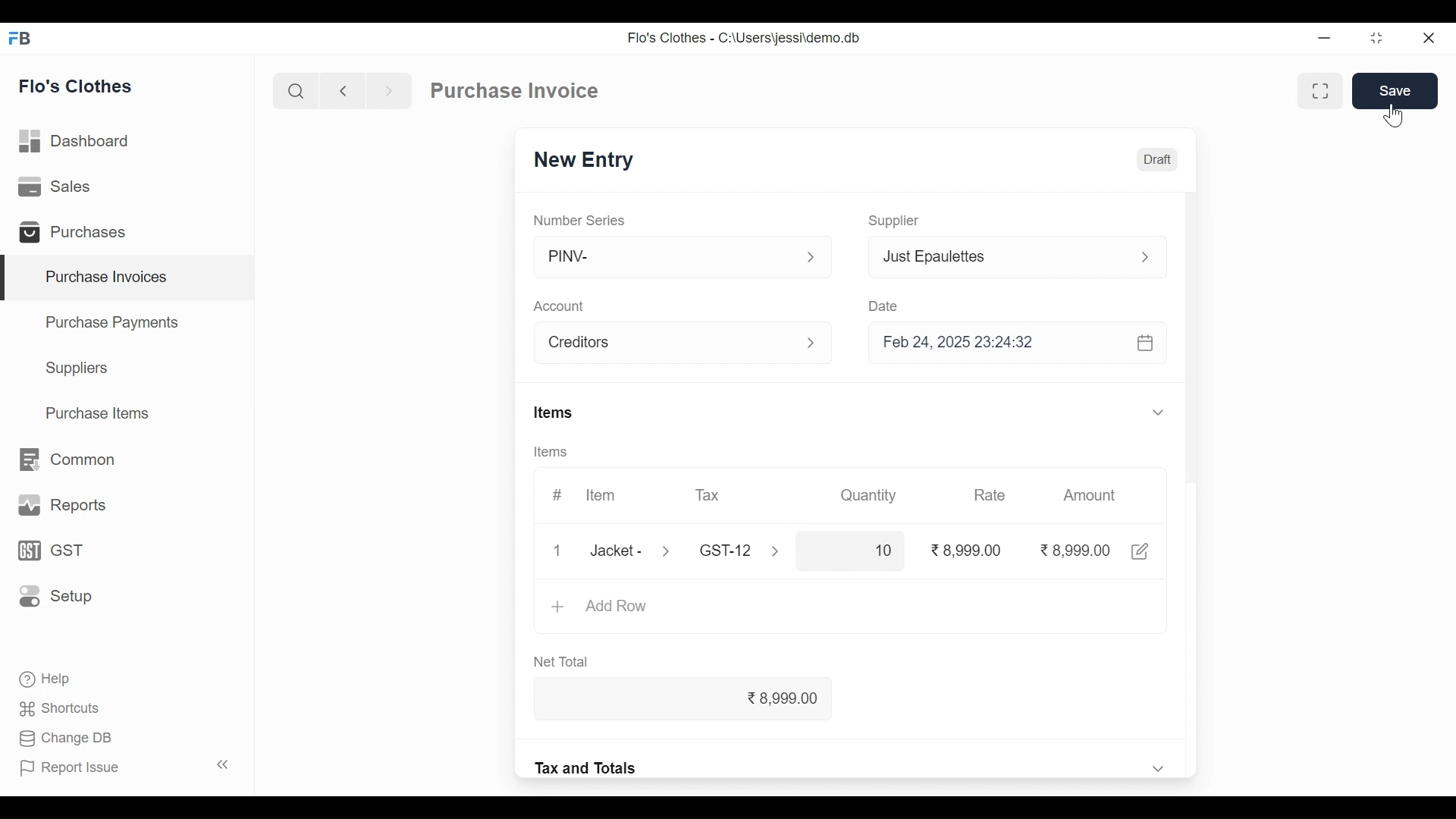  Describe the element at coordinates (588, 767) in the screenshot. I see `Tax and Totals` at that location.